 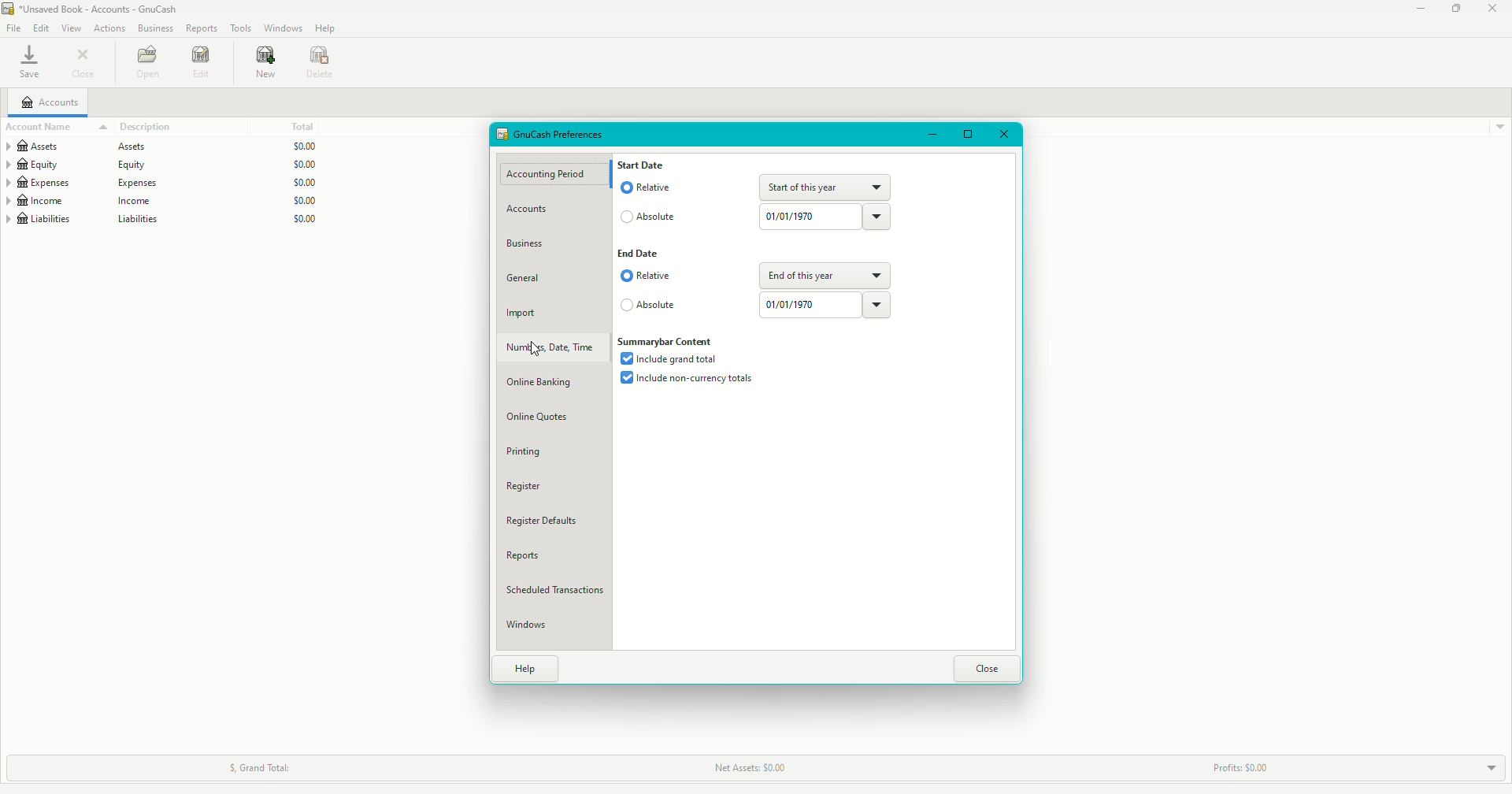 What do you see at coordinates (826, 276) in the screenshot?
I see `End of this year` at bounding box center [826, 276].